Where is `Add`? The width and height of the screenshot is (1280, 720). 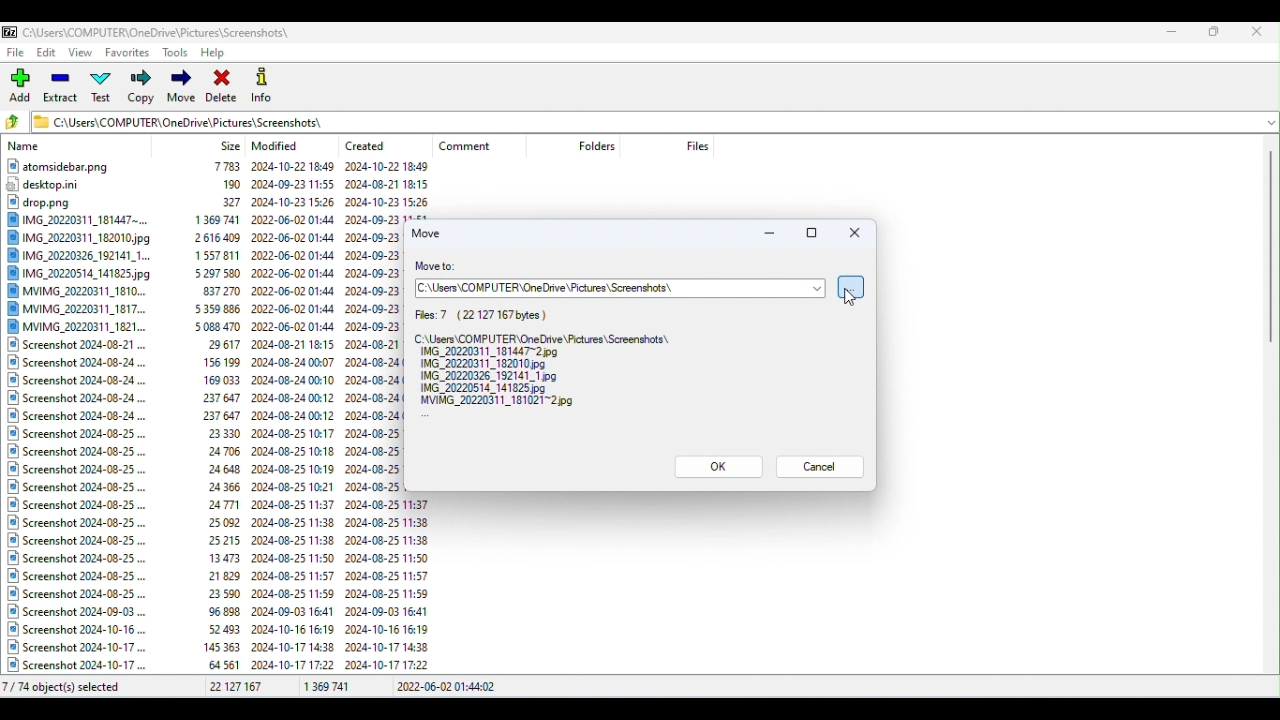
Add is located at coordinates (23, 86).